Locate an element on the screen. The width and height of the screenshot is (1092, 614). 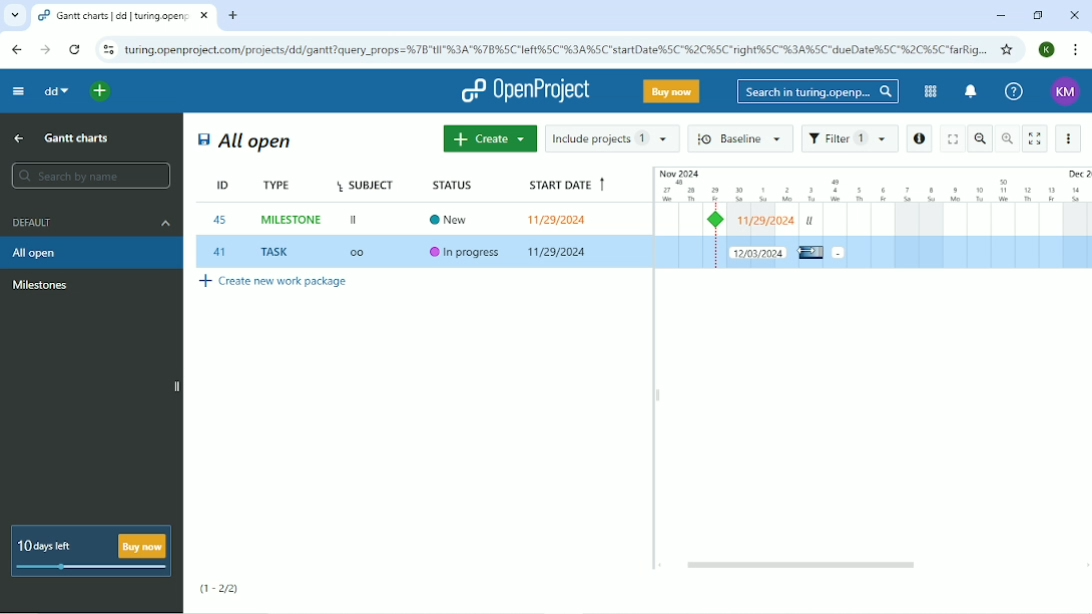
Start date is located at coordinates (564, 182).